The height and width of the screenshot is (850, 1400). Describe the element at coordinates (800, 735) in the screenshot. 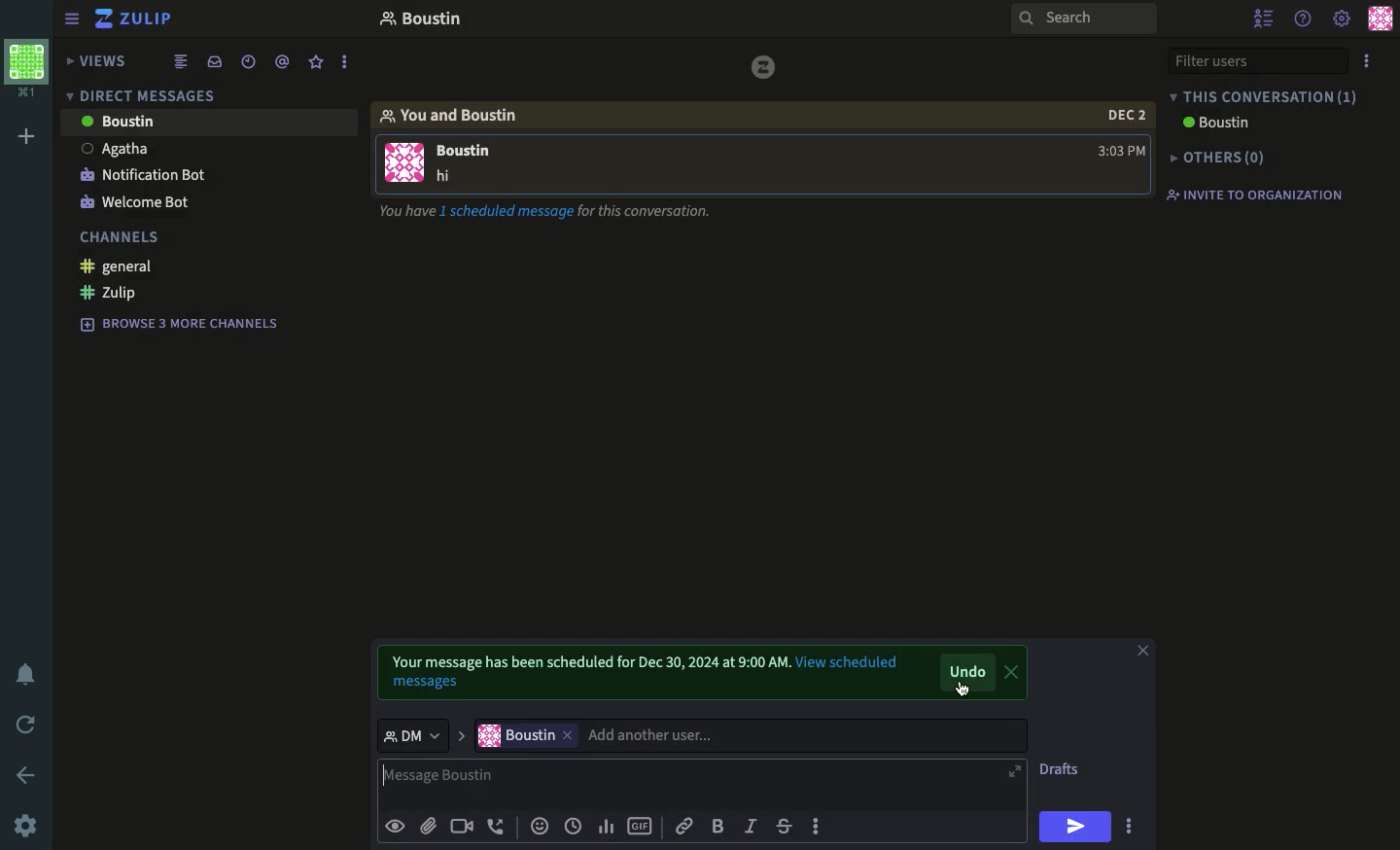

I see `add another user` at that location.